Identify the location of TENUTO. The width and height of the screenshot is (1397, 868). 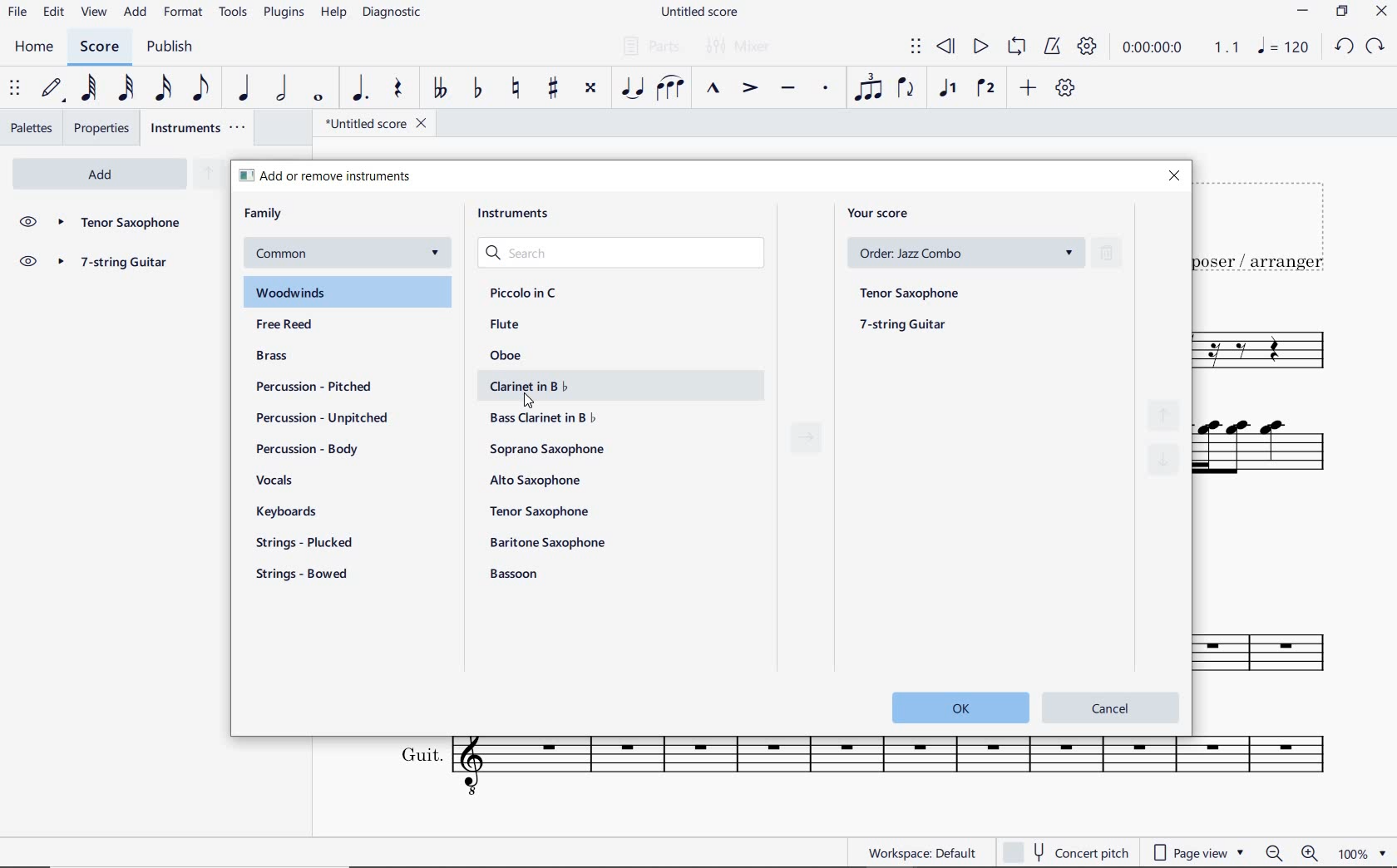
(787, 91).